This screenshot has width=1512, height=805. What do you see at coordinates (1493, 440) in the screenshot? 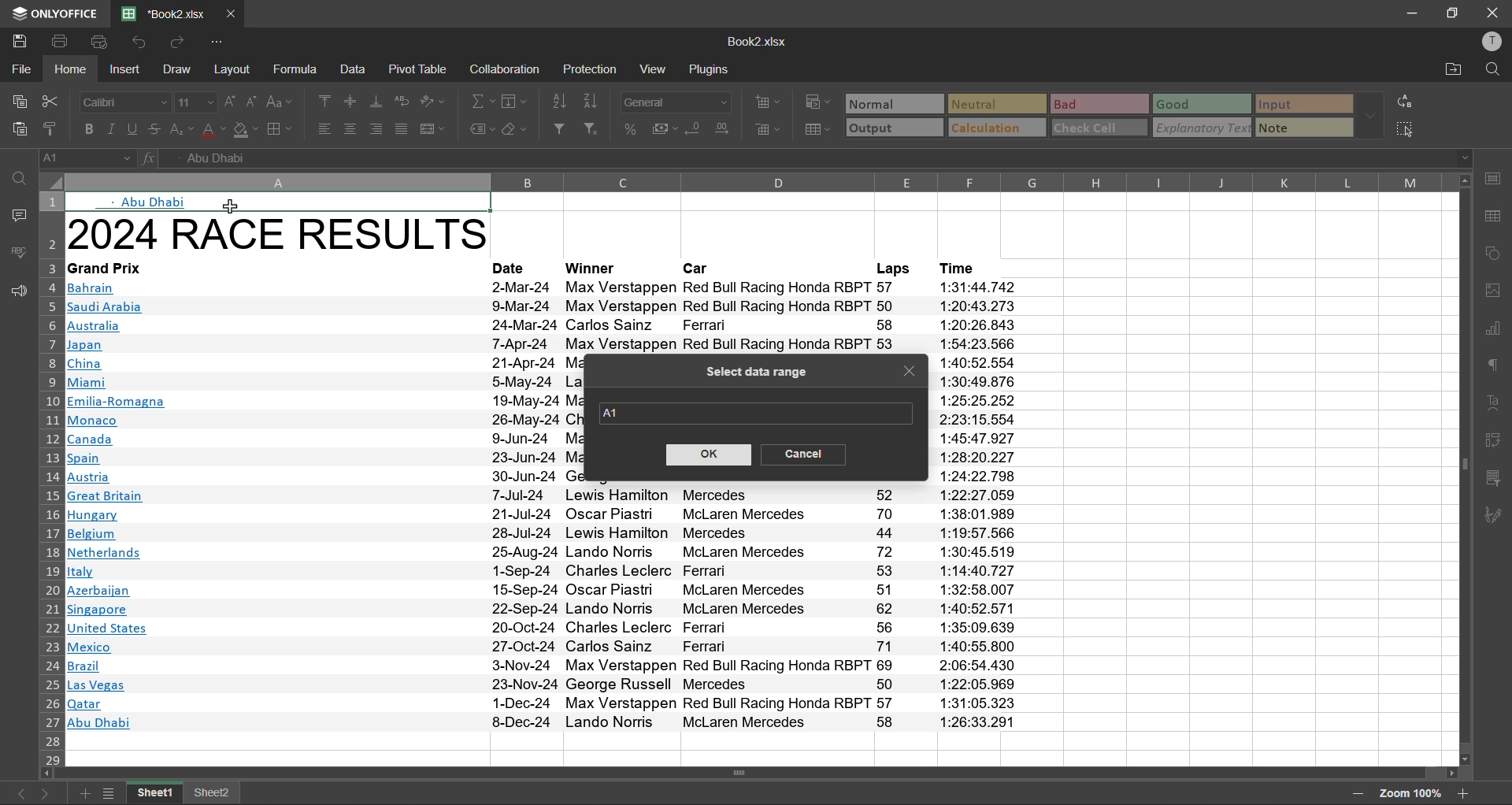
I see `pivot table` at bounding box center [1493, 440].